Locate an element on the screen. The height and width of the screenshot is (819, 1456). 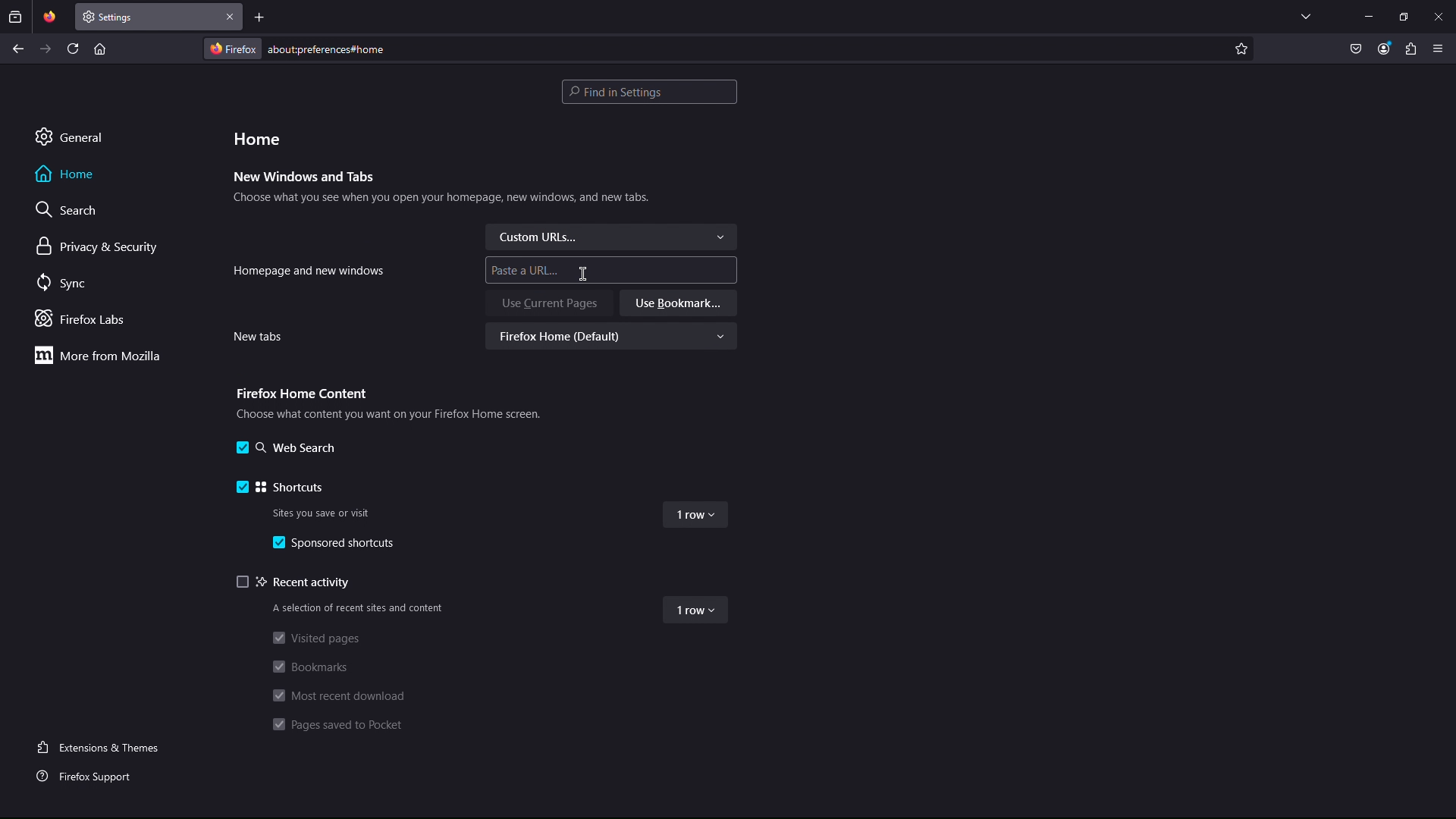
Home is located at coordinates (257, 137).